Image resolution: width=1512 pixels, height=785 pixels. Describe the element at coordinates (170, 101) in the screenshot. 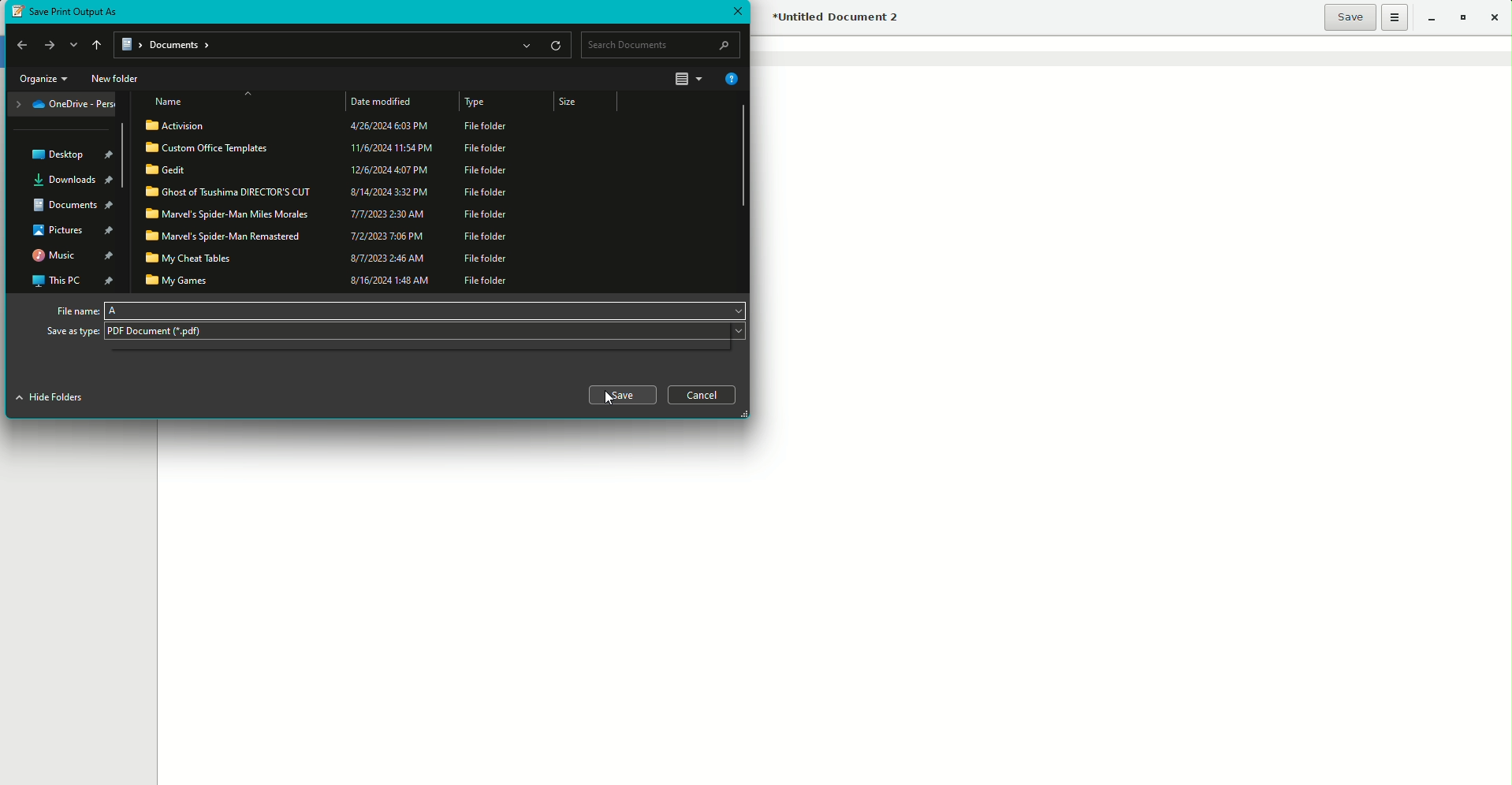

I see `Name` at that location.